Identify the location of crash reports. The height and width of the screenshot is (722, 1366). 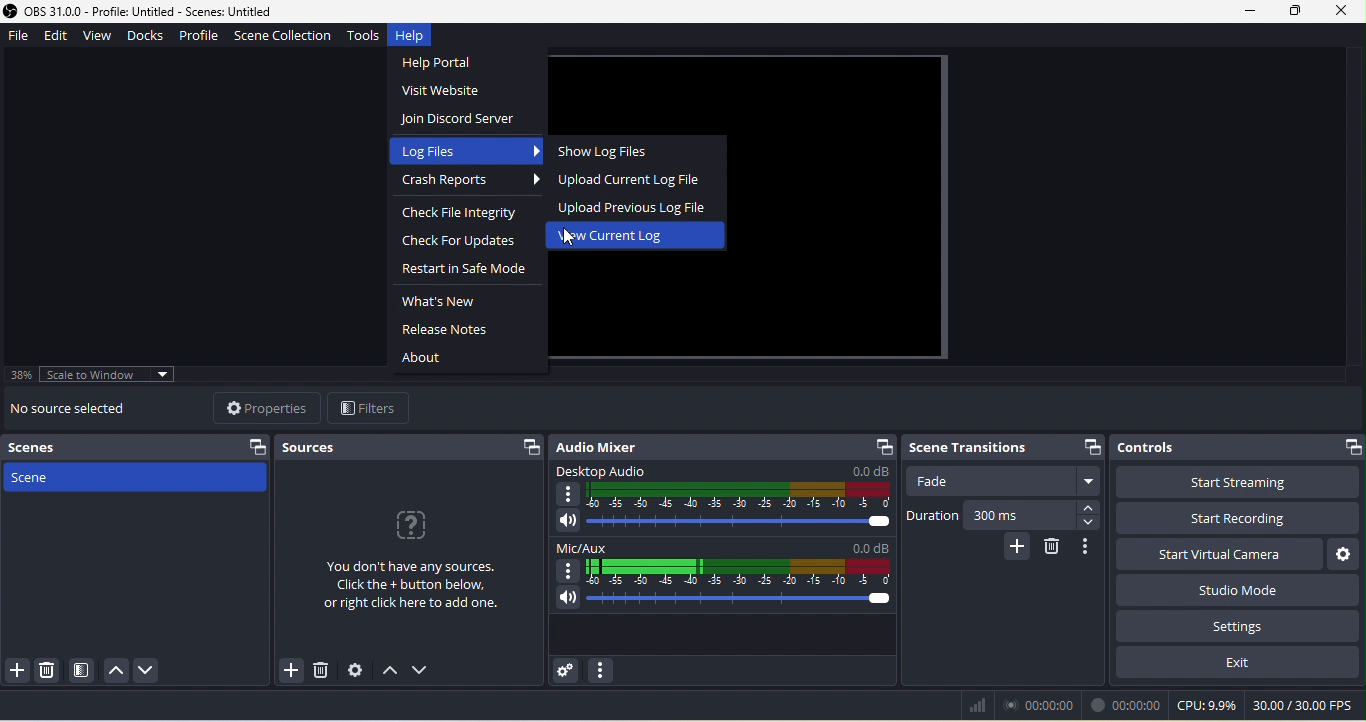
(469, 184).